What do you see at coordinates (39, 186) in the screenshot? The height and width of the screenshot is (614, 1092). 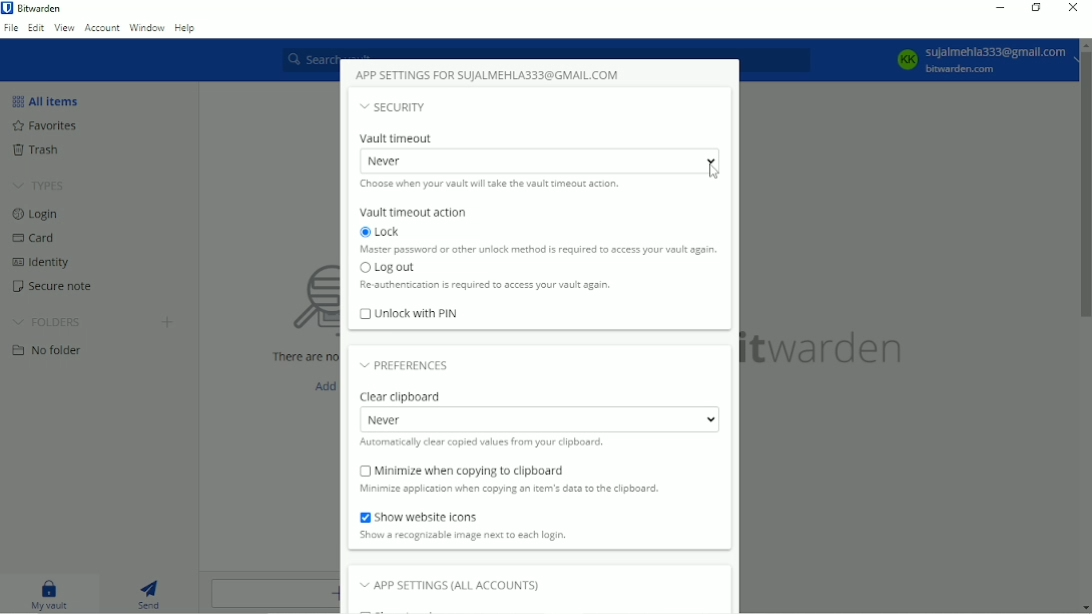 I see `Types` at bounding box center [39, 186].